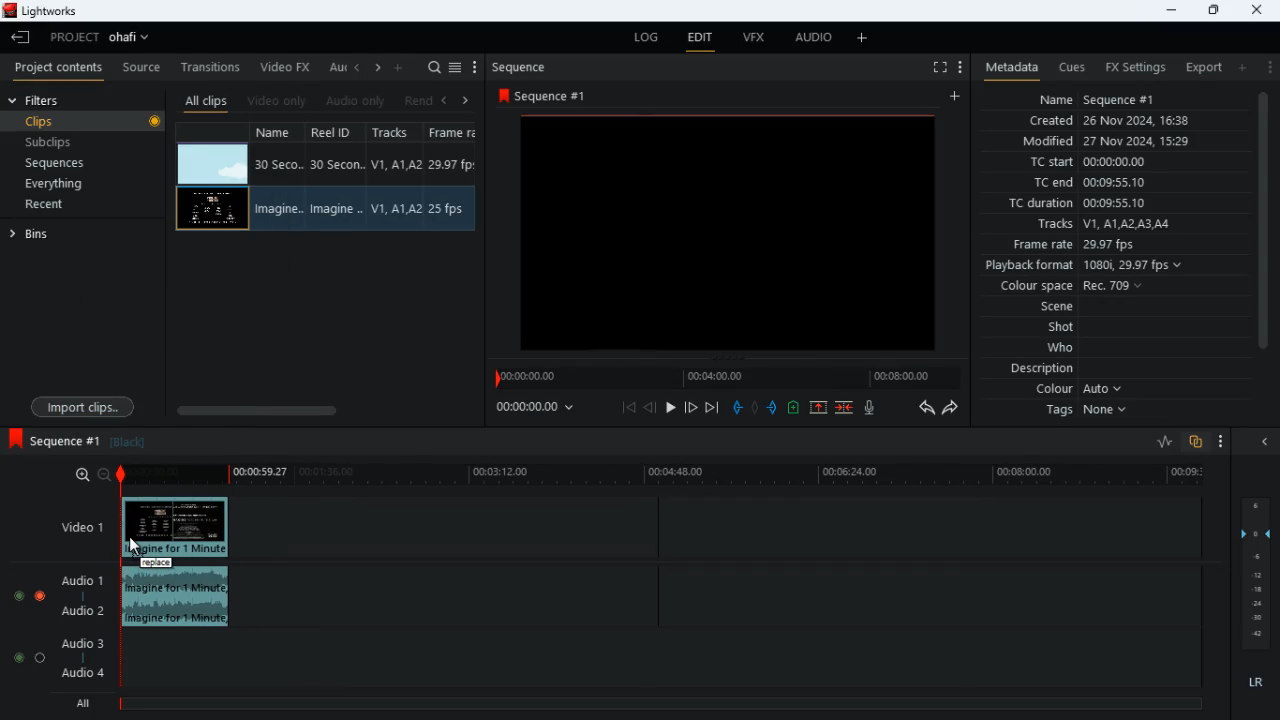 This screenshot has width=1280, height=720. Describe the element at coordinates (434, 68) in the screenshot. I see `search` at that location.